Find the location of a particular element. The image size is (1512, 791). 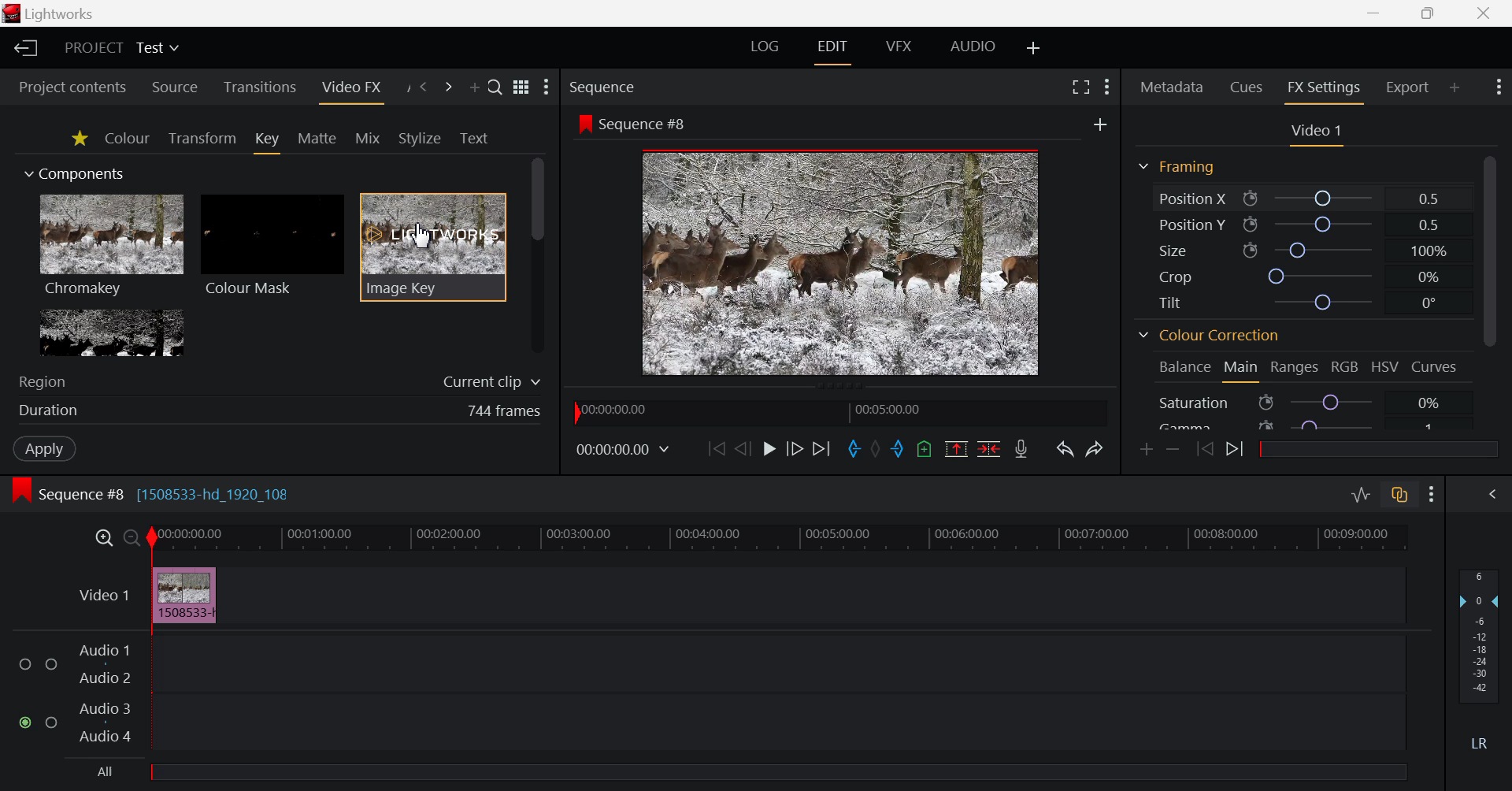

0° is located at coordinates (1429, 303).